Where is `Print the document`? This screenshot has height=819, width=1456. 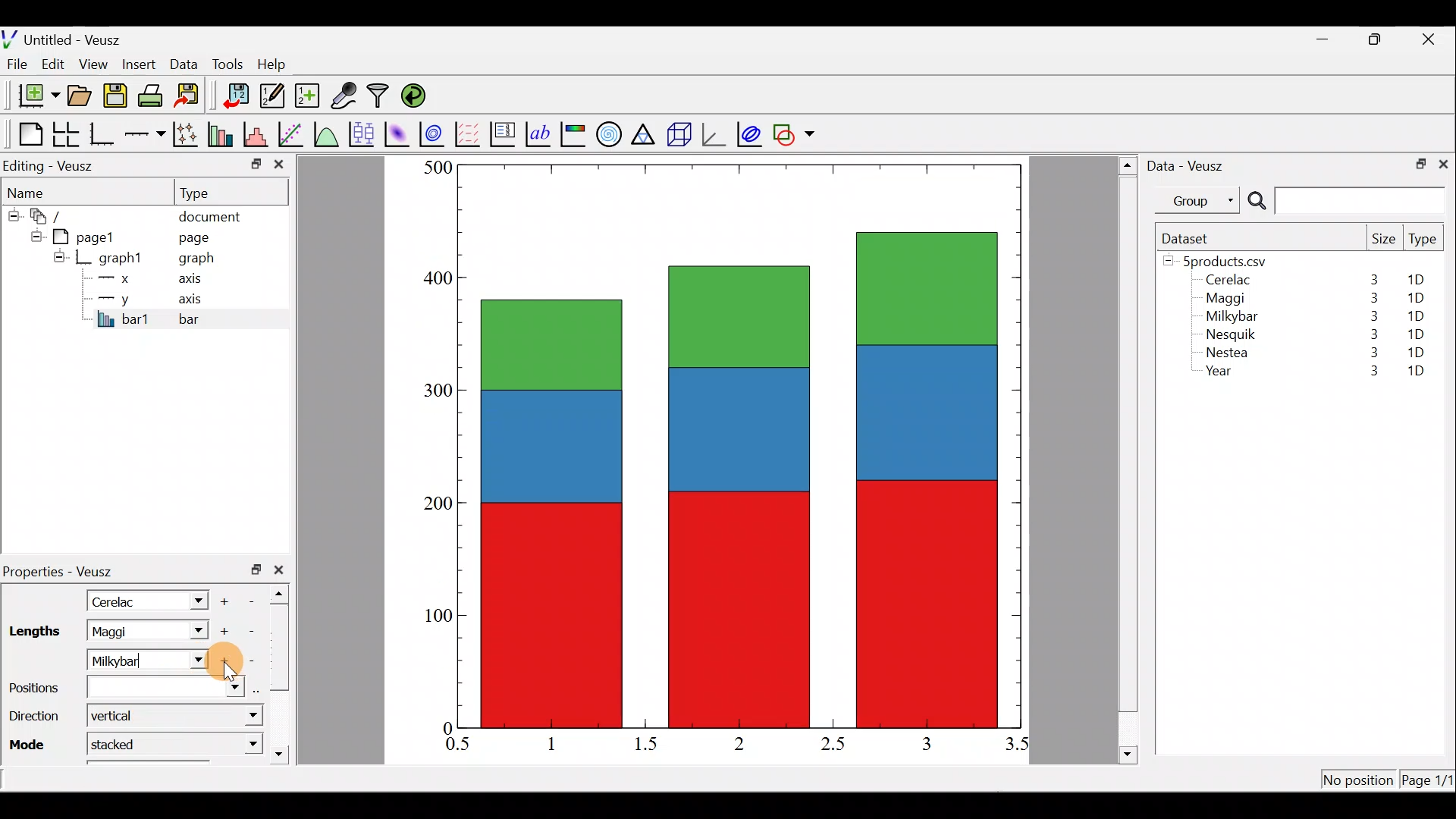
Print the document is located at coordinates (155, 95).